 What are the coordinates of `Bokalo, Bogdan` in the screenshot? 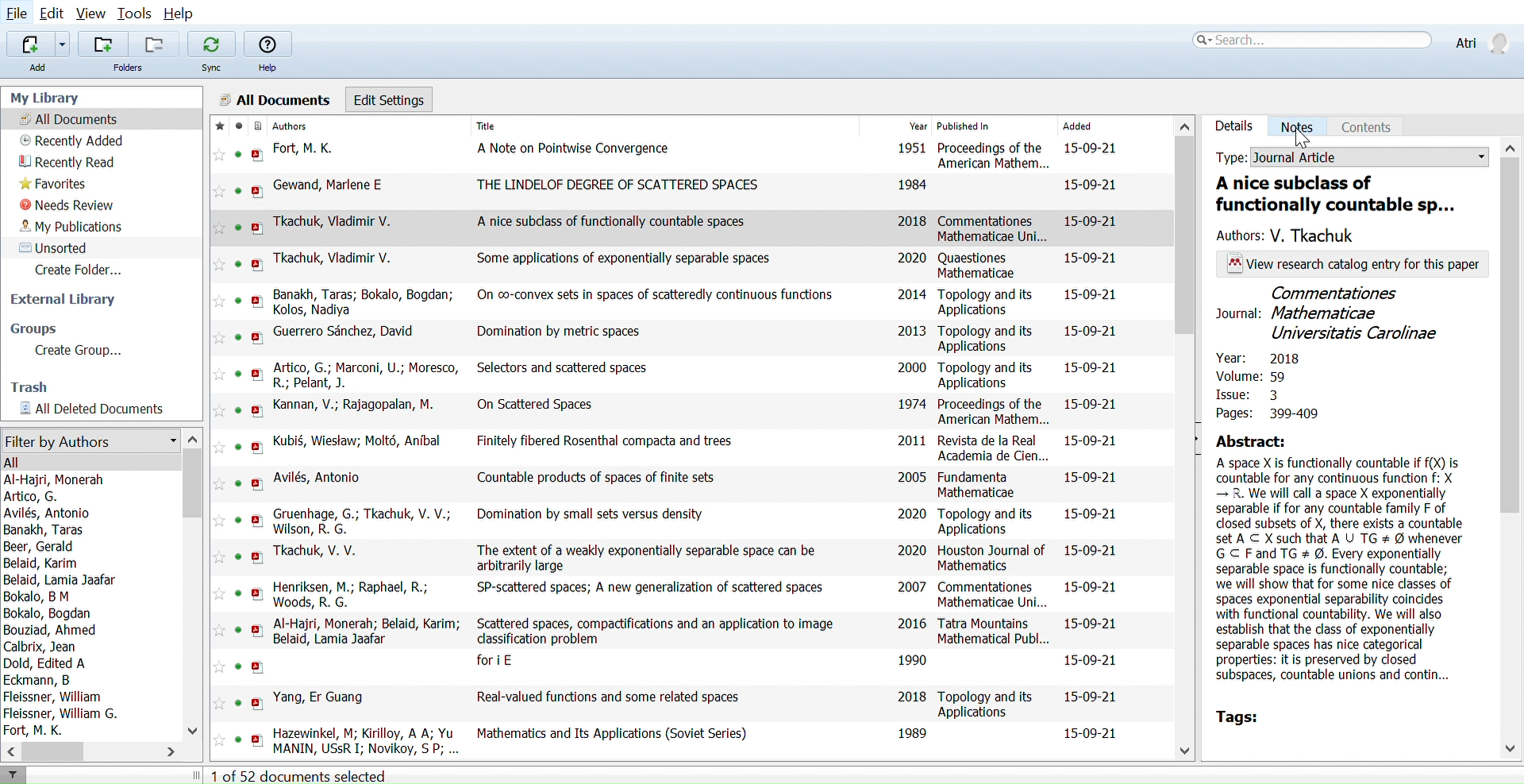 It's located at (52, 614).